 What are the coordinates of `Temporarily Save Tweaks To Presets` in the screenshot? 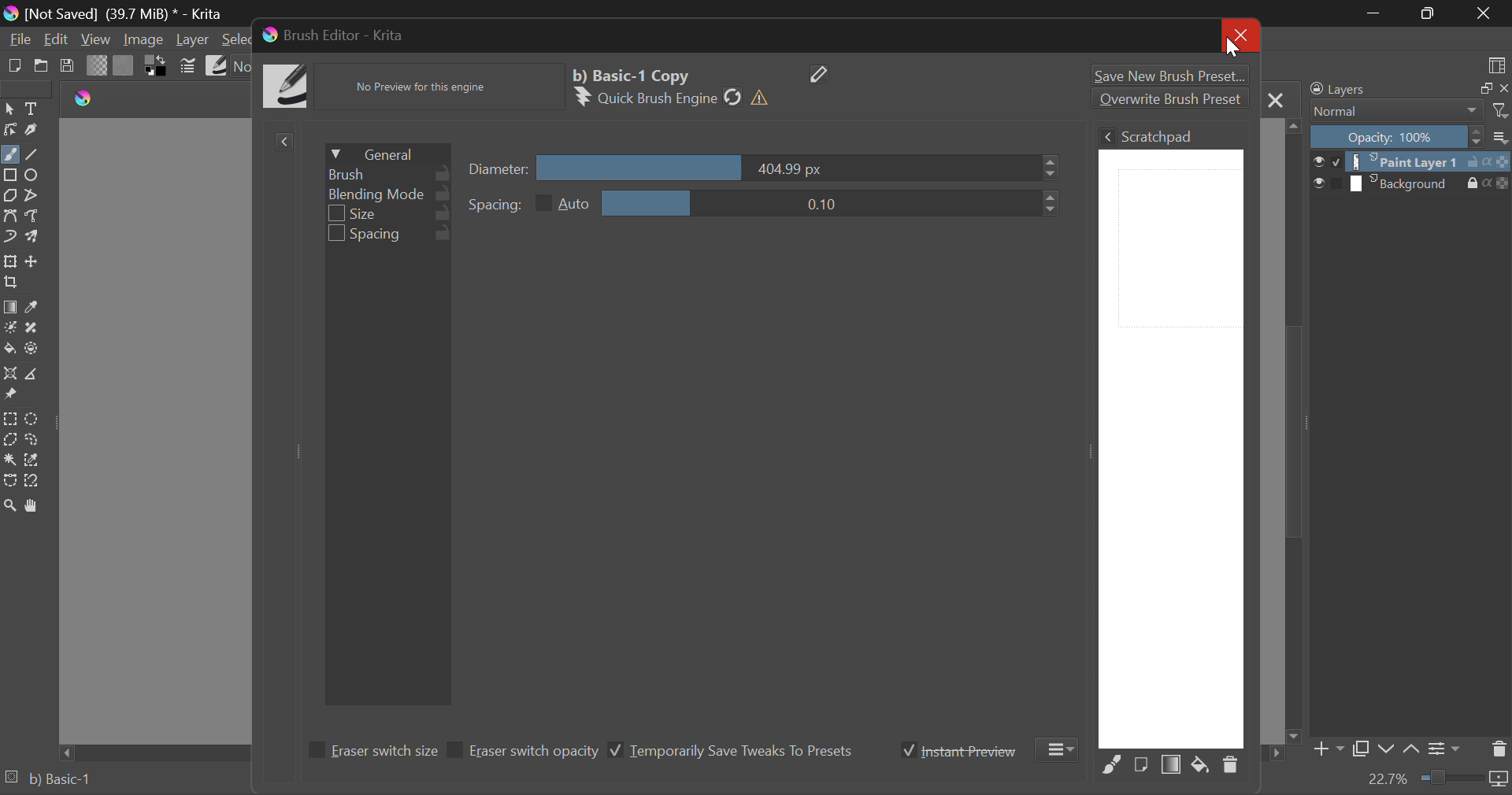 It's located at (731, 751).